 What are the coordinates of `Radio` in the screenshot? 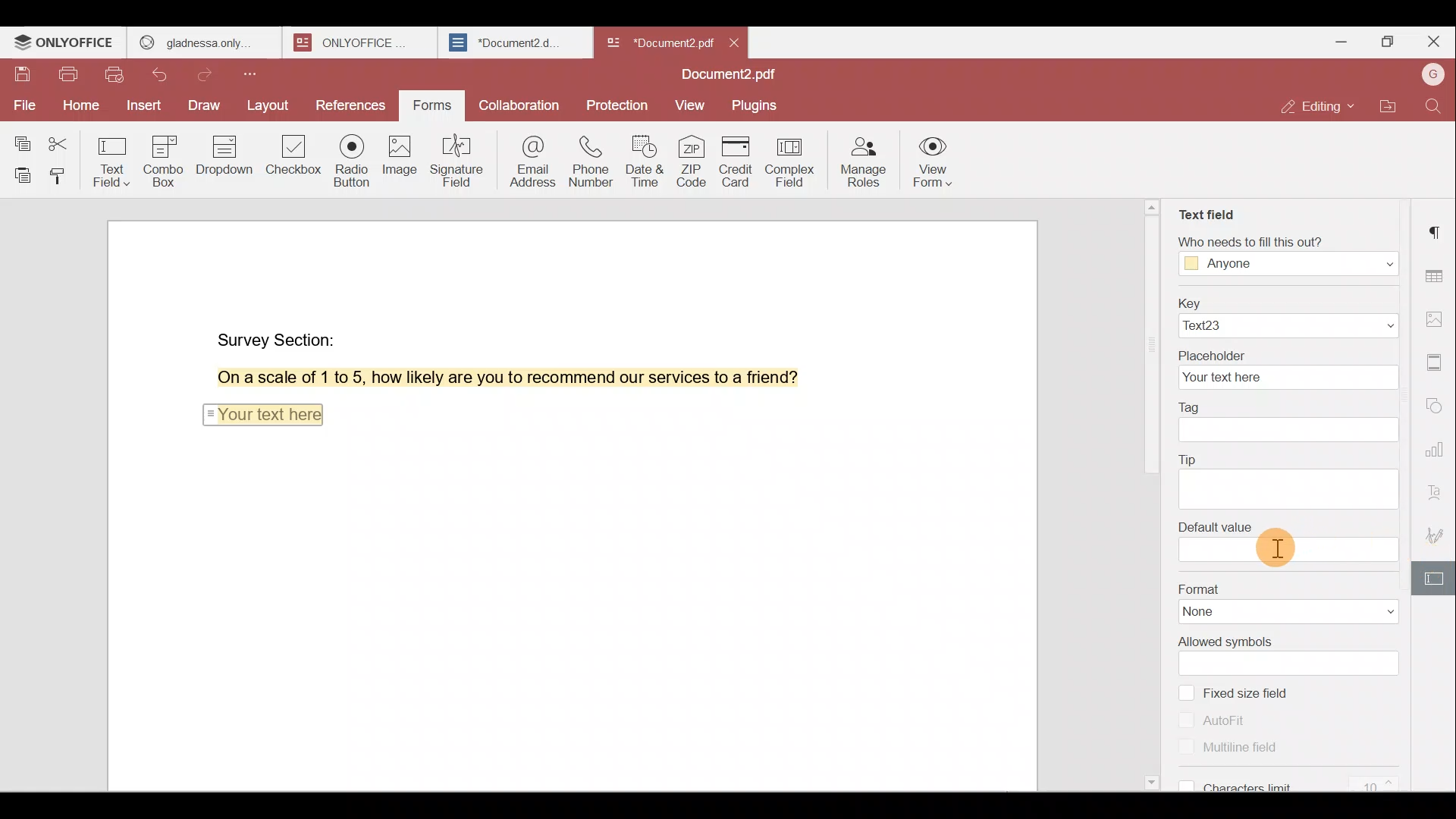 It's located at (353, 163).